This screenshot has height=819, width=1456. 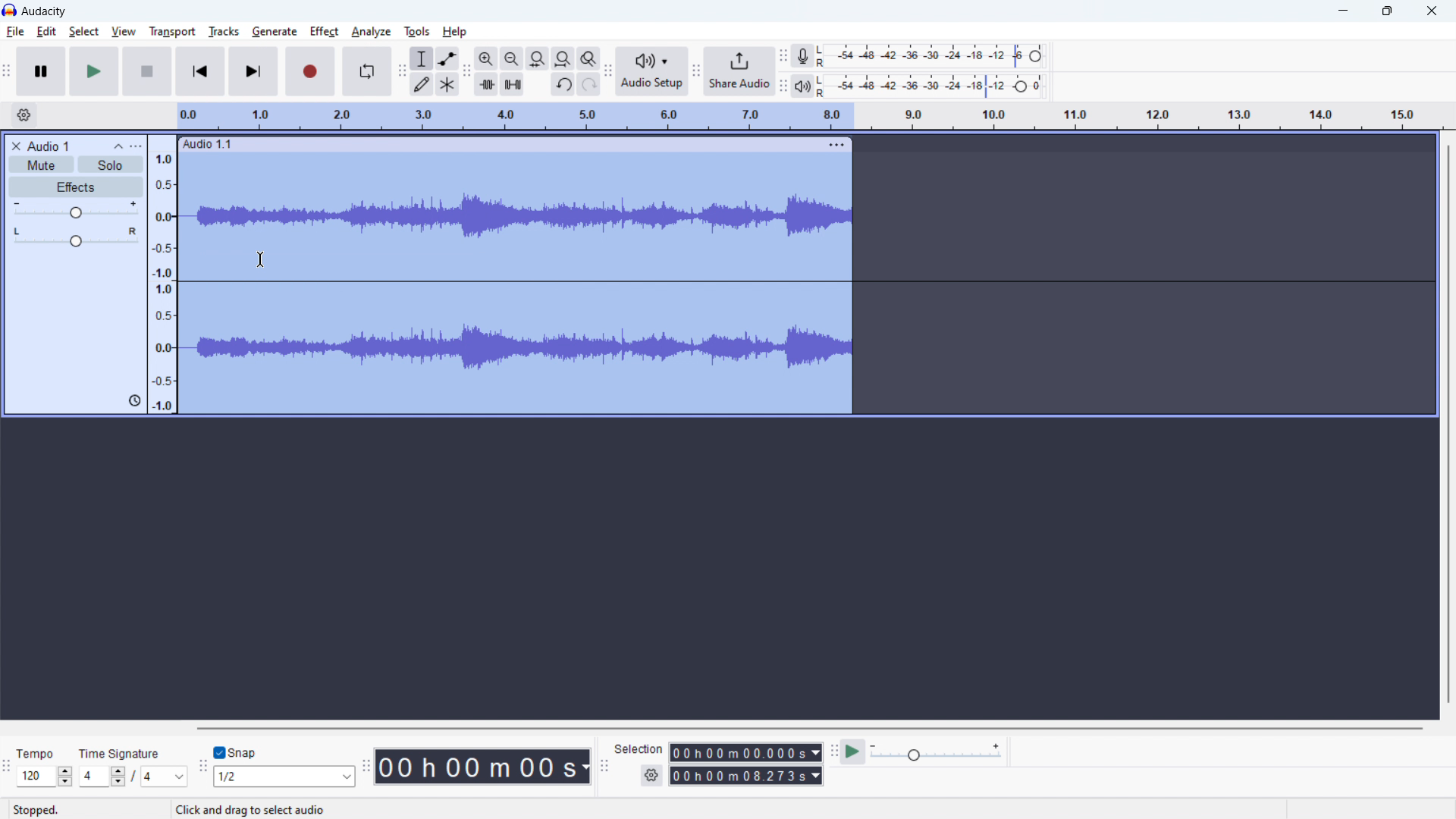 What do you see at coordinates (44, 11) in the screenshot?
I see `title` at bounding box center [44, 11].